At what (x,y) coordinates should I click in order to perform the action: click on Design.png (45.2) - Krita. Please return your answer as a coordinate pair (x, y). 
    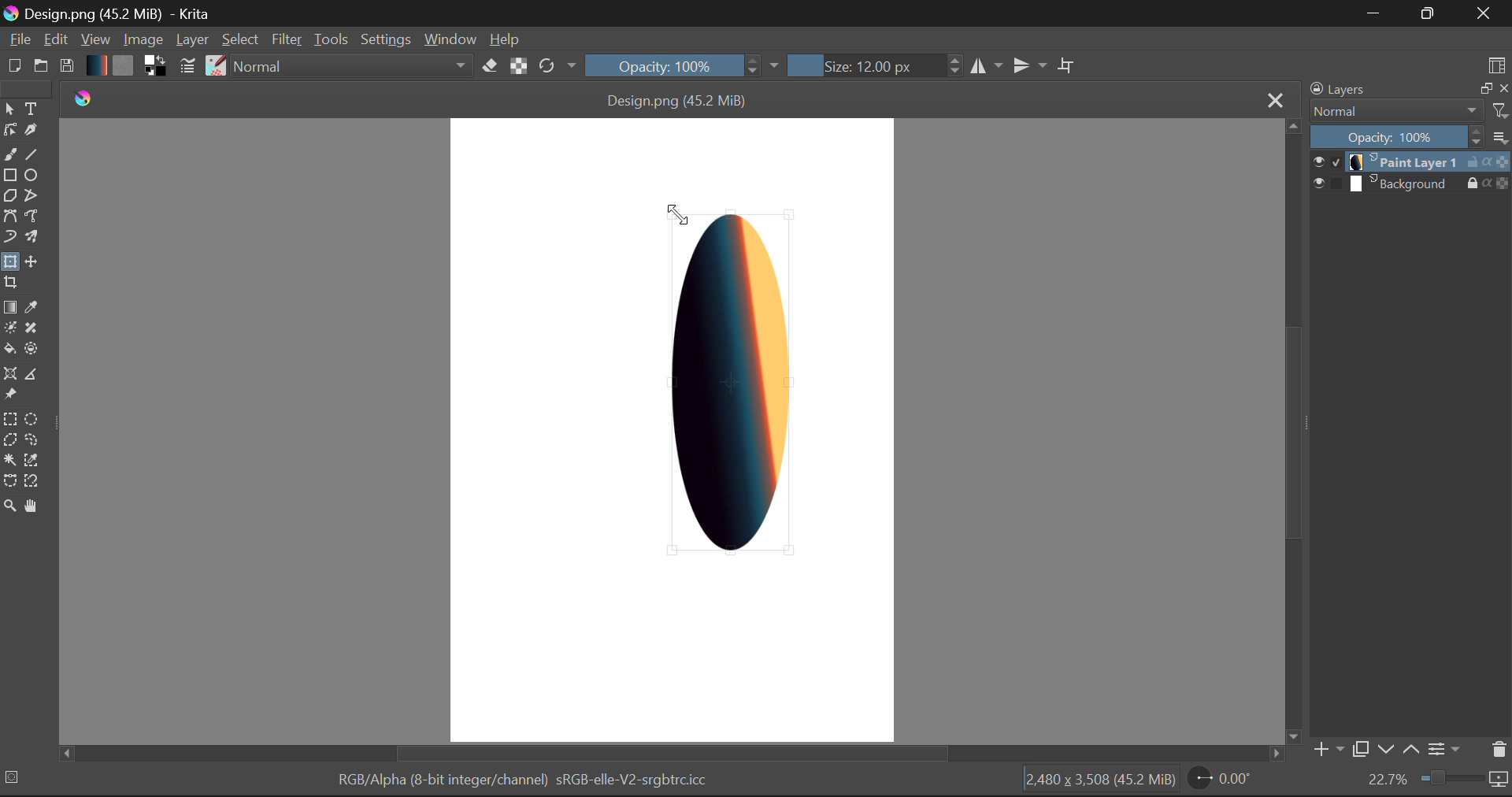
    Looking at the image, I should click on (114, 13).